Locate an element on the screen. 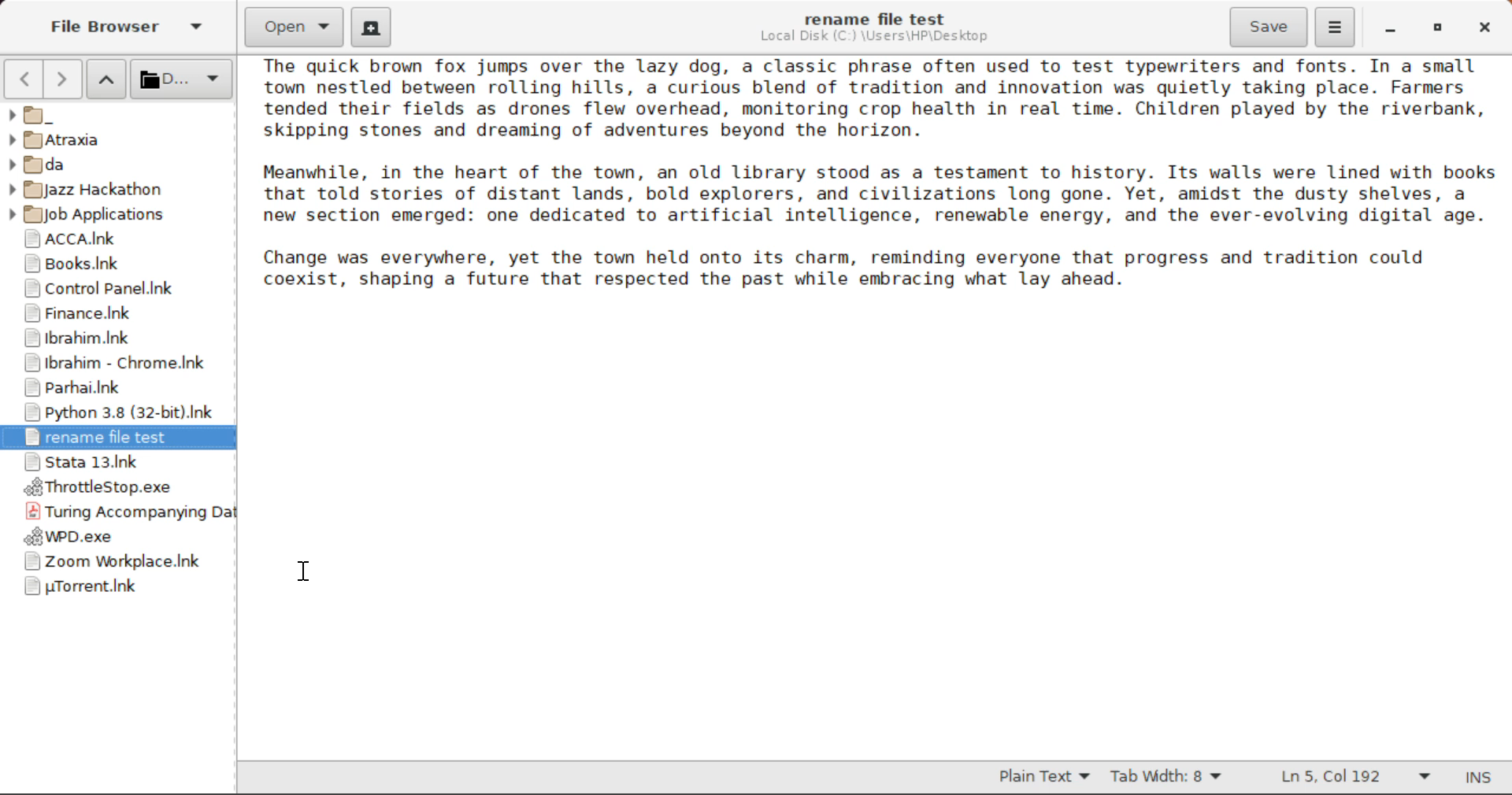 This screenshot has width=1512, height=795. Previous Page is located at coordinates (23, 79).